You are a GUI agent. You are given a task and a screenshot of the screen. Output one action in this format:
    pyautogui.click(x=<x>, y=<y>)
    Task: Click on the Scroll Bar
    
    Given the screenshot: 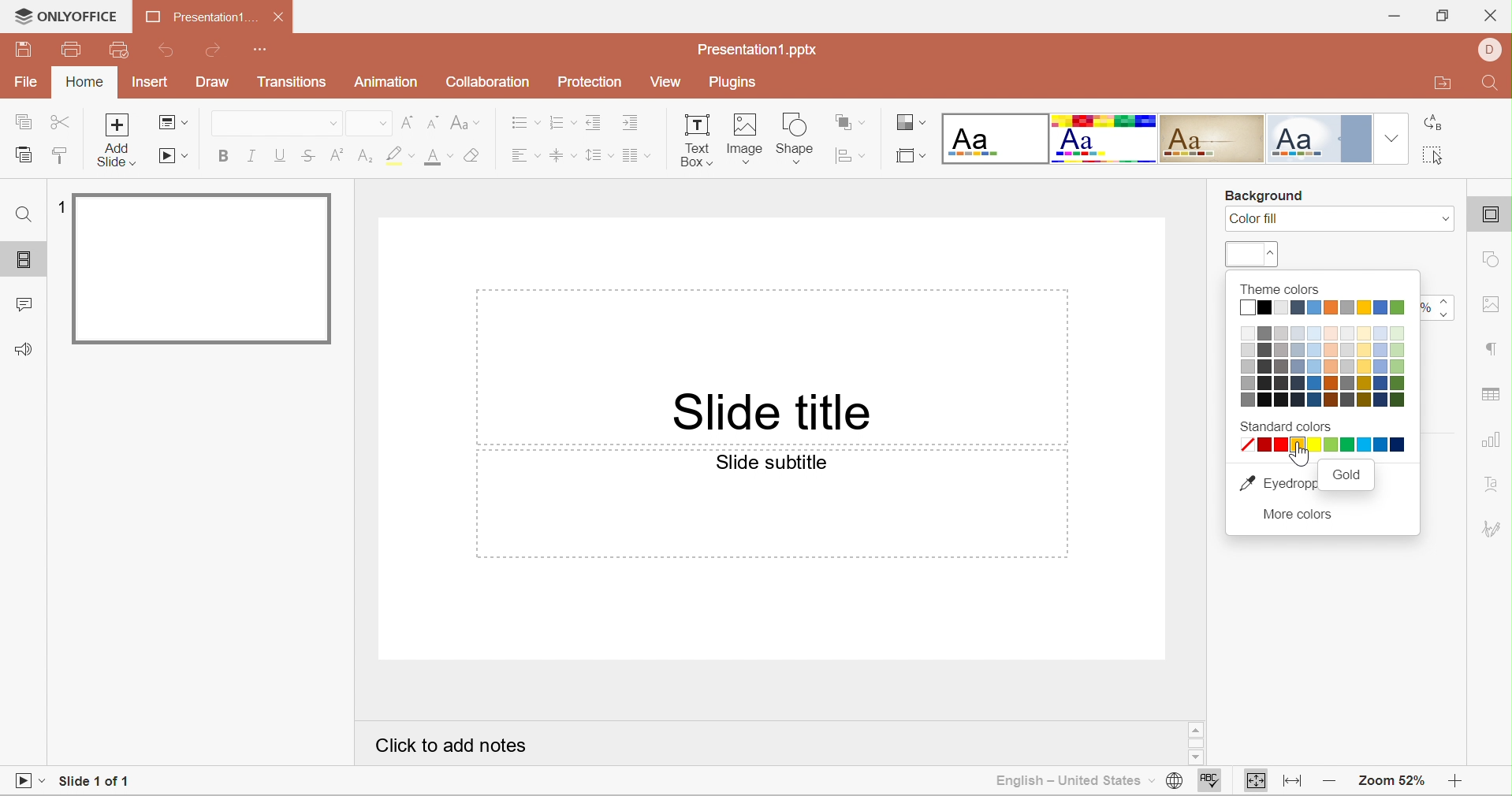 What is the action you would take?
    pyautogui.click(x=1456, y=746)
    